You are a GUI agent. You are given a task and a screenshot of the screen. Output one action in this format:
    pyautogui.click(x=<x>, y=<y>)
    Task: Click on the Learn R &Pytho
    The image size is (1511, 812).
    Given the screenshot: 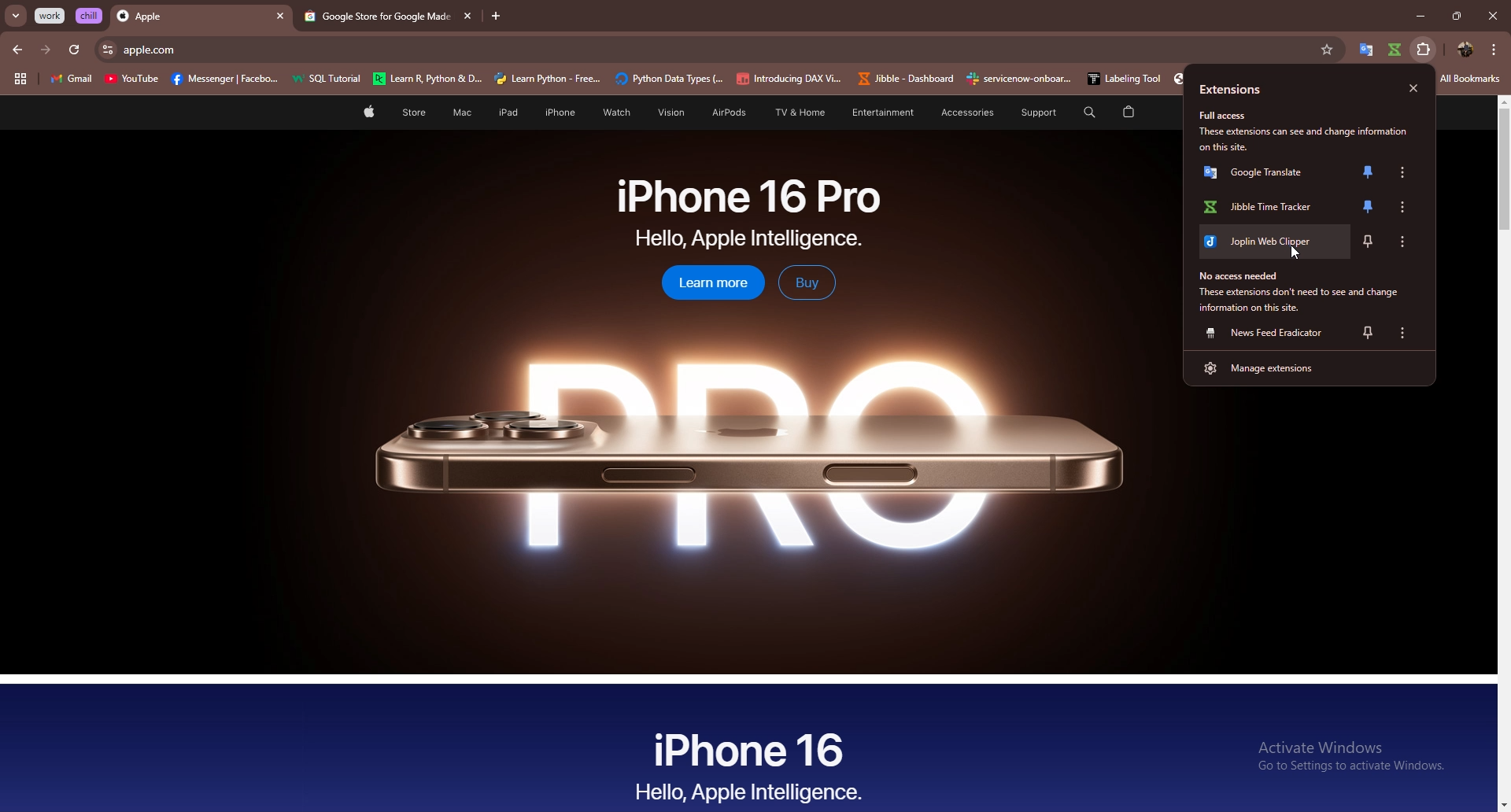 What is the action you would take?
    pyautogui.click(x=428, y=79)
    